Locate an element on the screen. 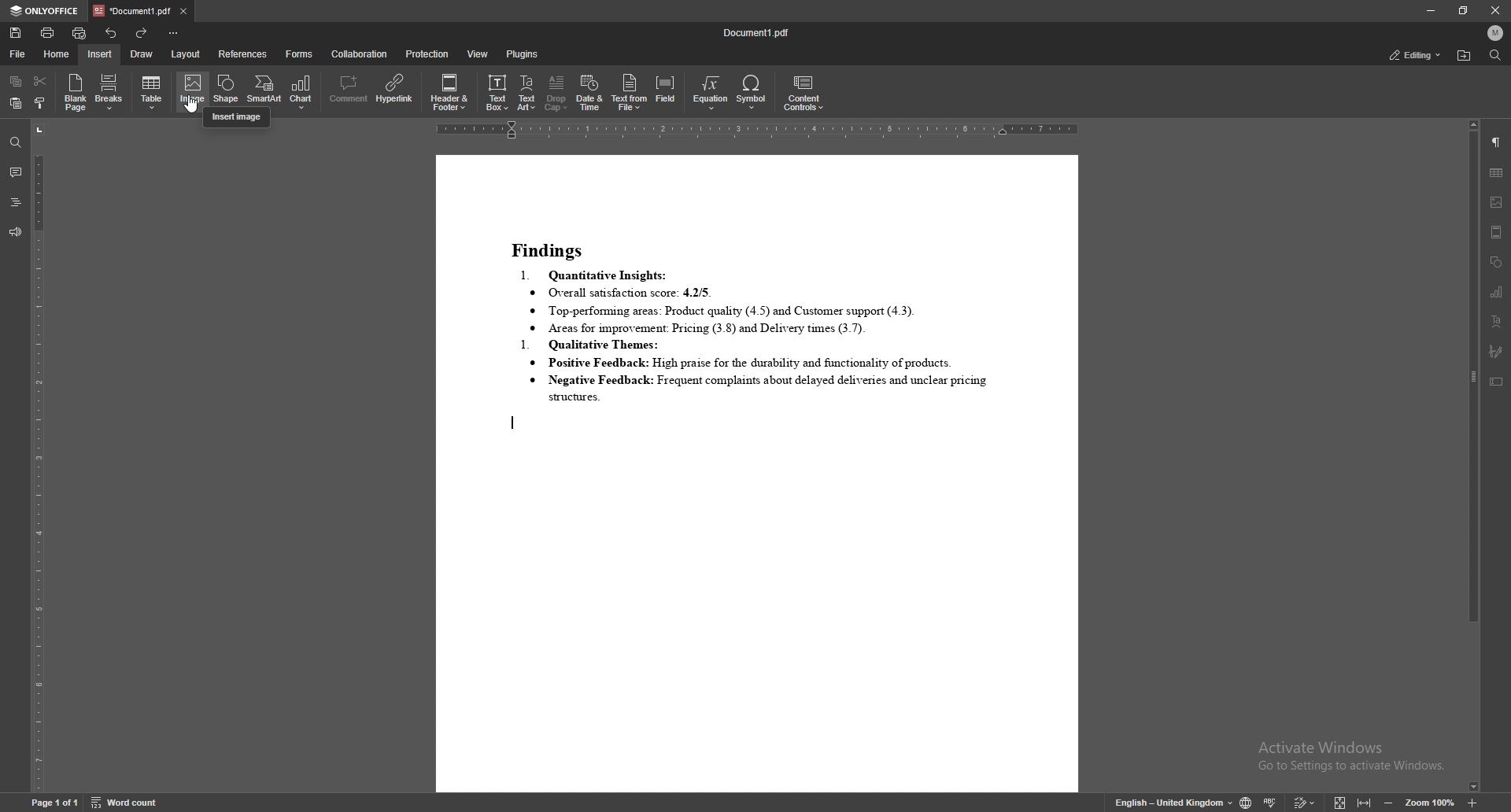 Image resolution: width=1511 pixels, height=812 pixels. copy style is located at coordinates (40, 105).